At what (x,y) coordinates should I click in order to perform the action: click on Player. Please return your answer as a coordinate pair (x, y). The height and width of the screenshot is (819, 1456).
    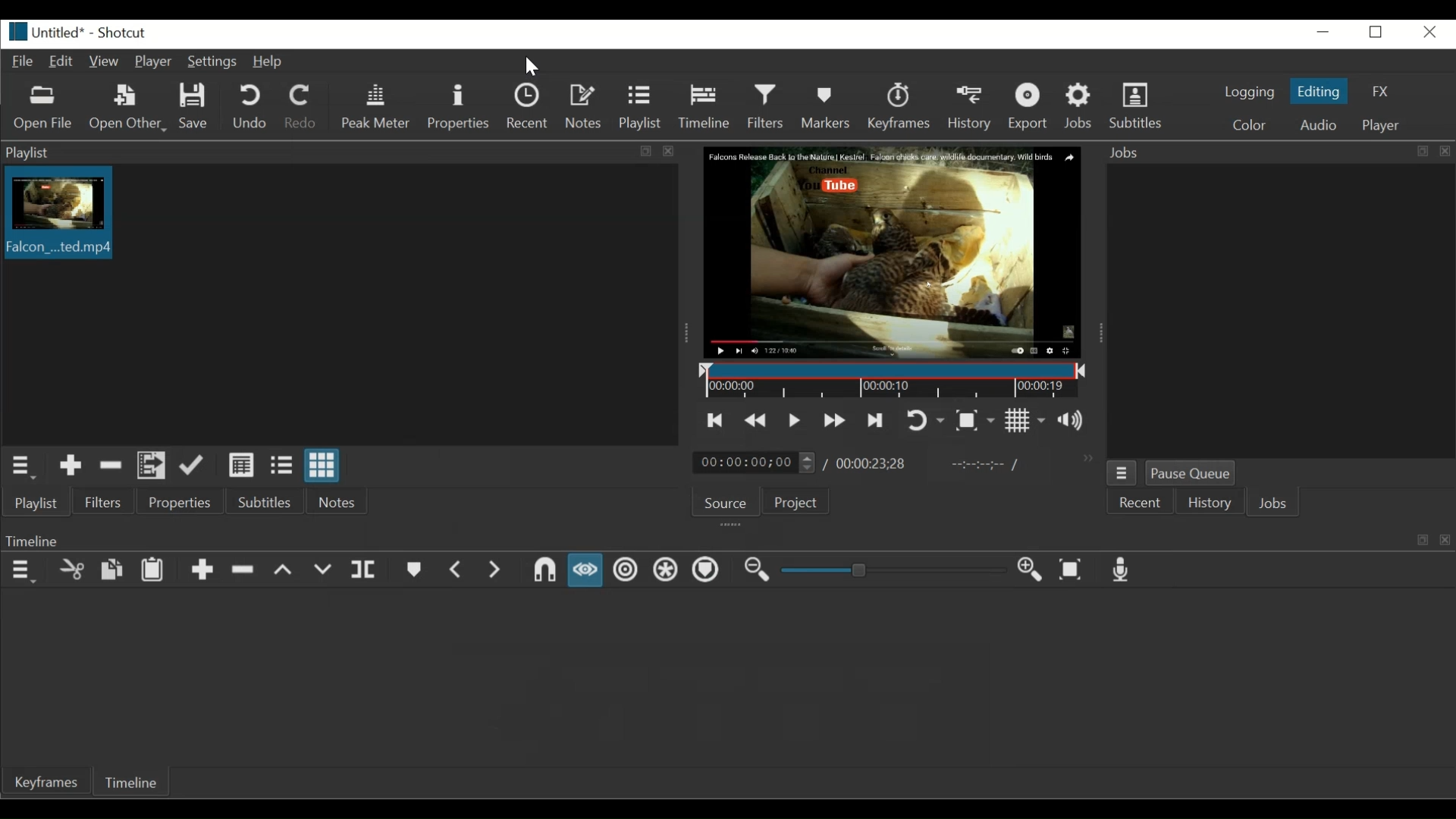
    Looking at the image, I should click on (1378, 124).